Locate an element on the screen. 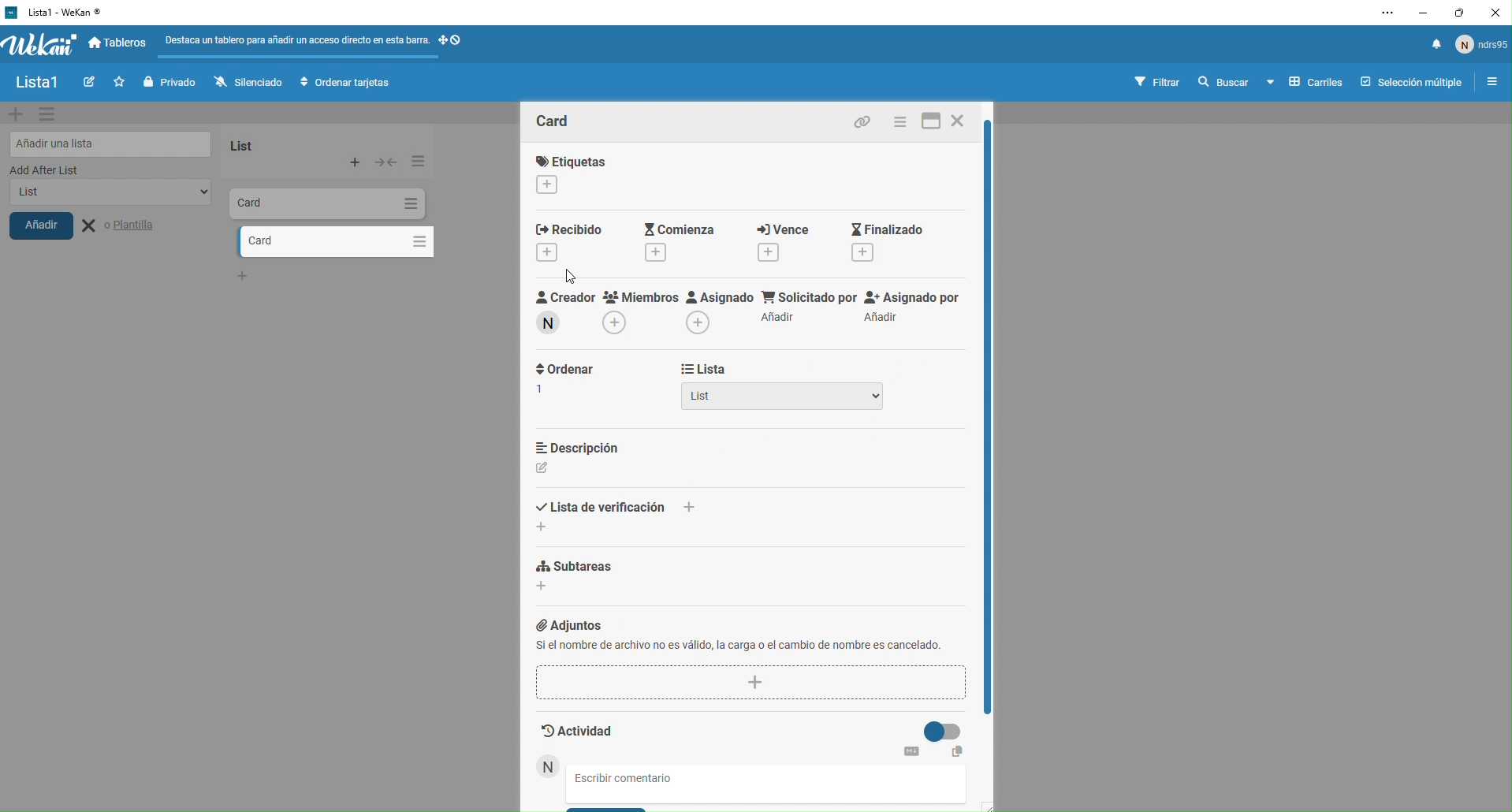  carriles is located at coordinates (1305, 83).